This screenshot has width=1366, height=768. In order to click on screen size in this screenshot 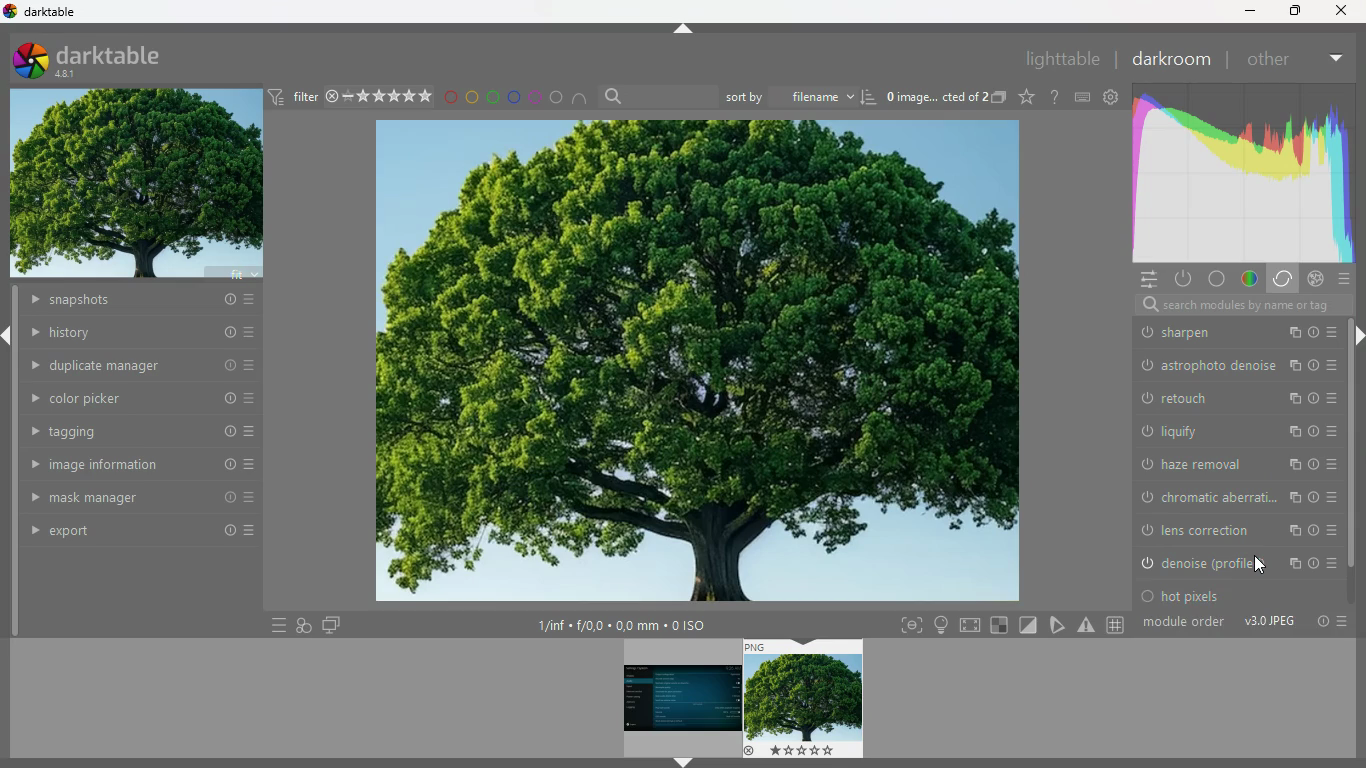, I will do `click(971, 624)`.